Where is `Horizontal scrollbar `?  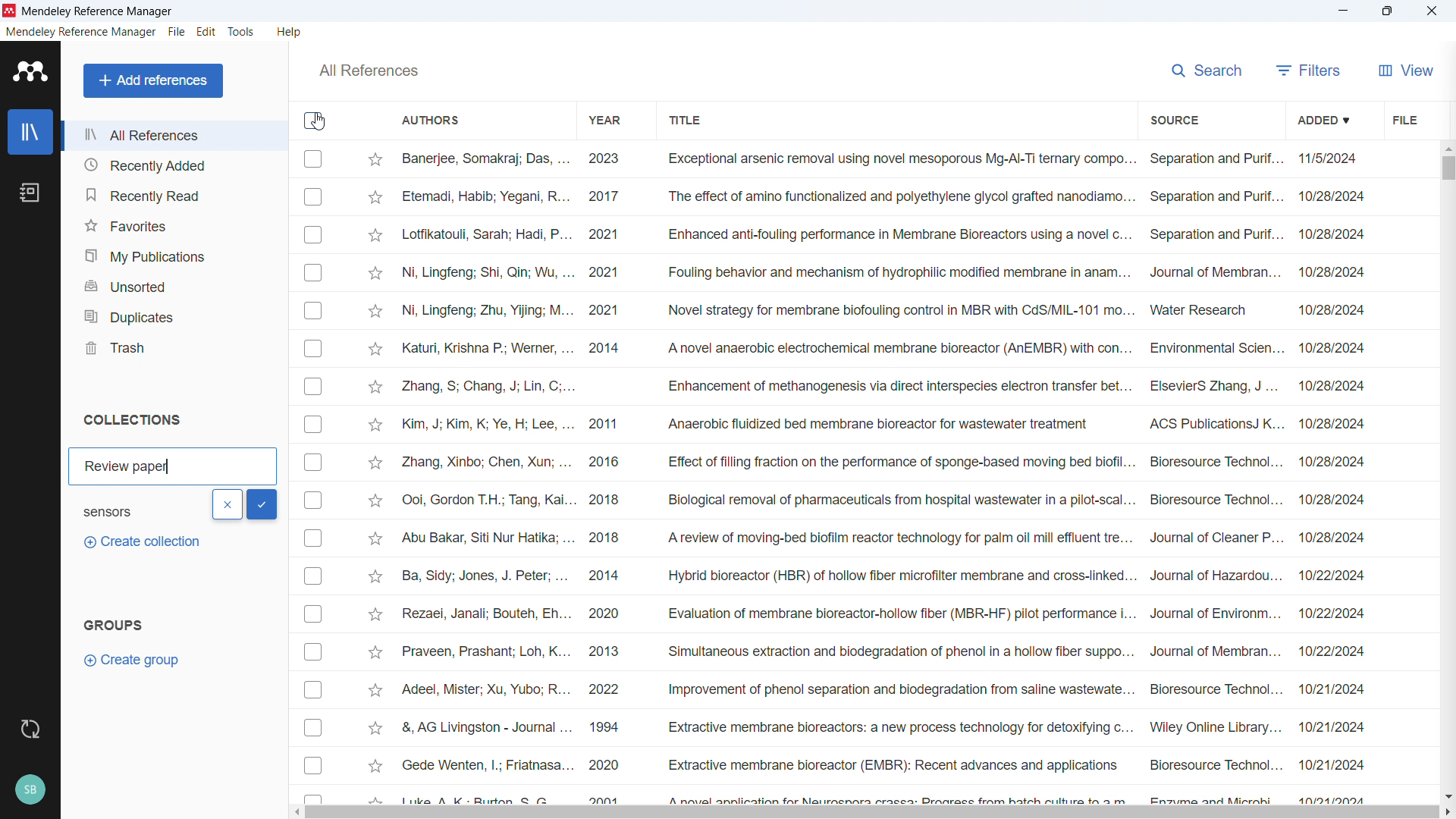
Horizontal scrollbar  is located at coordinates (873, 813).